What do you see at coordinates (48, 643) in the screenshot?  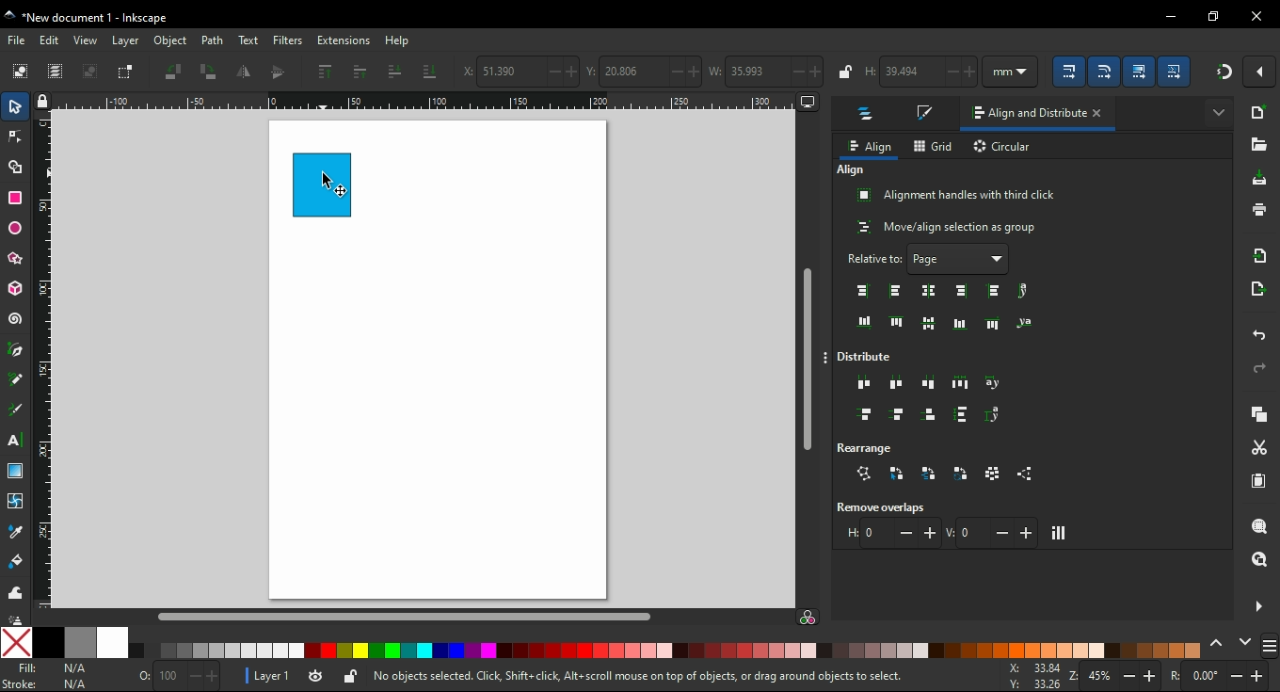 I see `black` at bounding box center [48, 643].